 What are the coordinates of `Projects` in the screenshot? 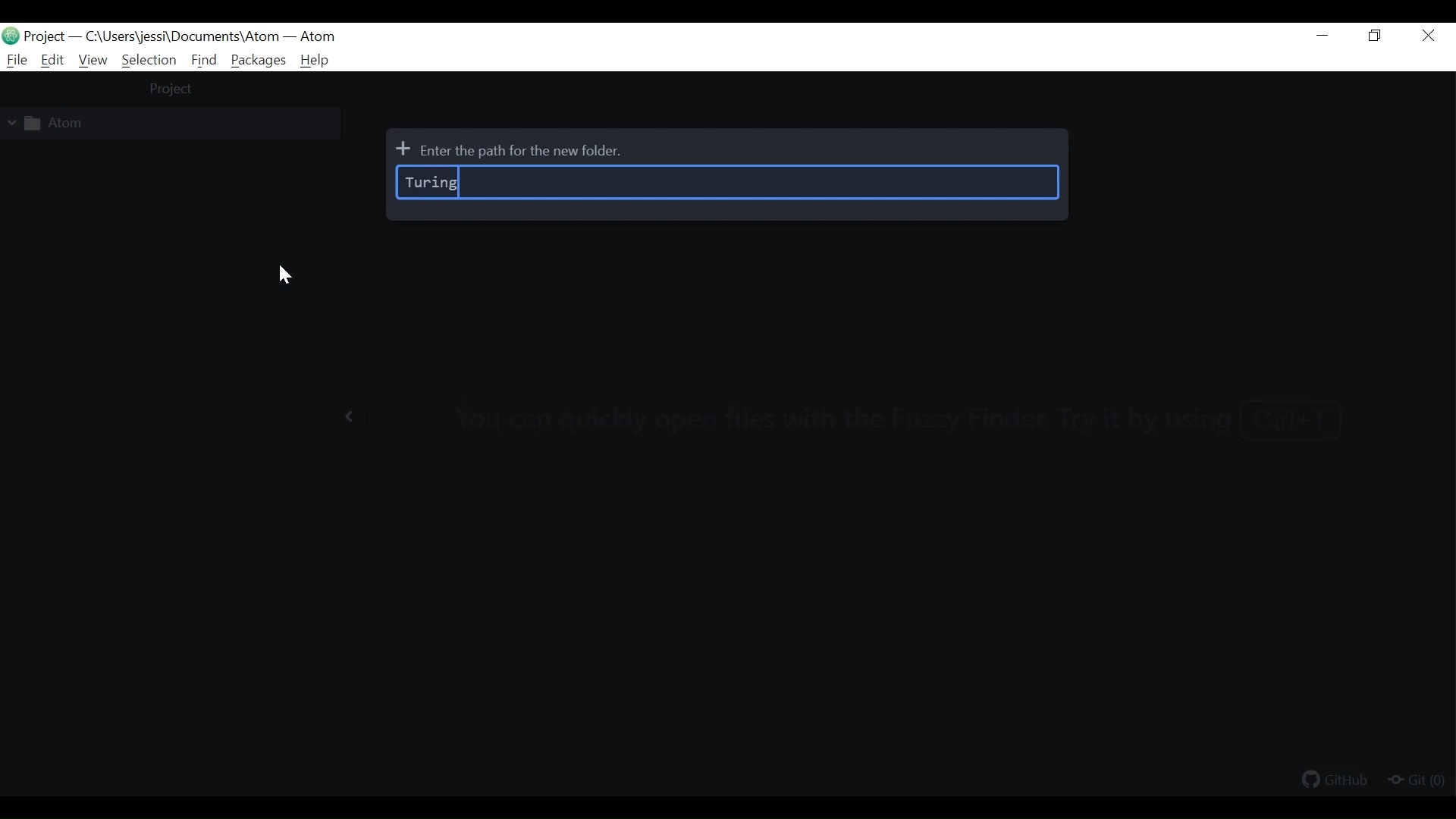 It's located at (46, 36).